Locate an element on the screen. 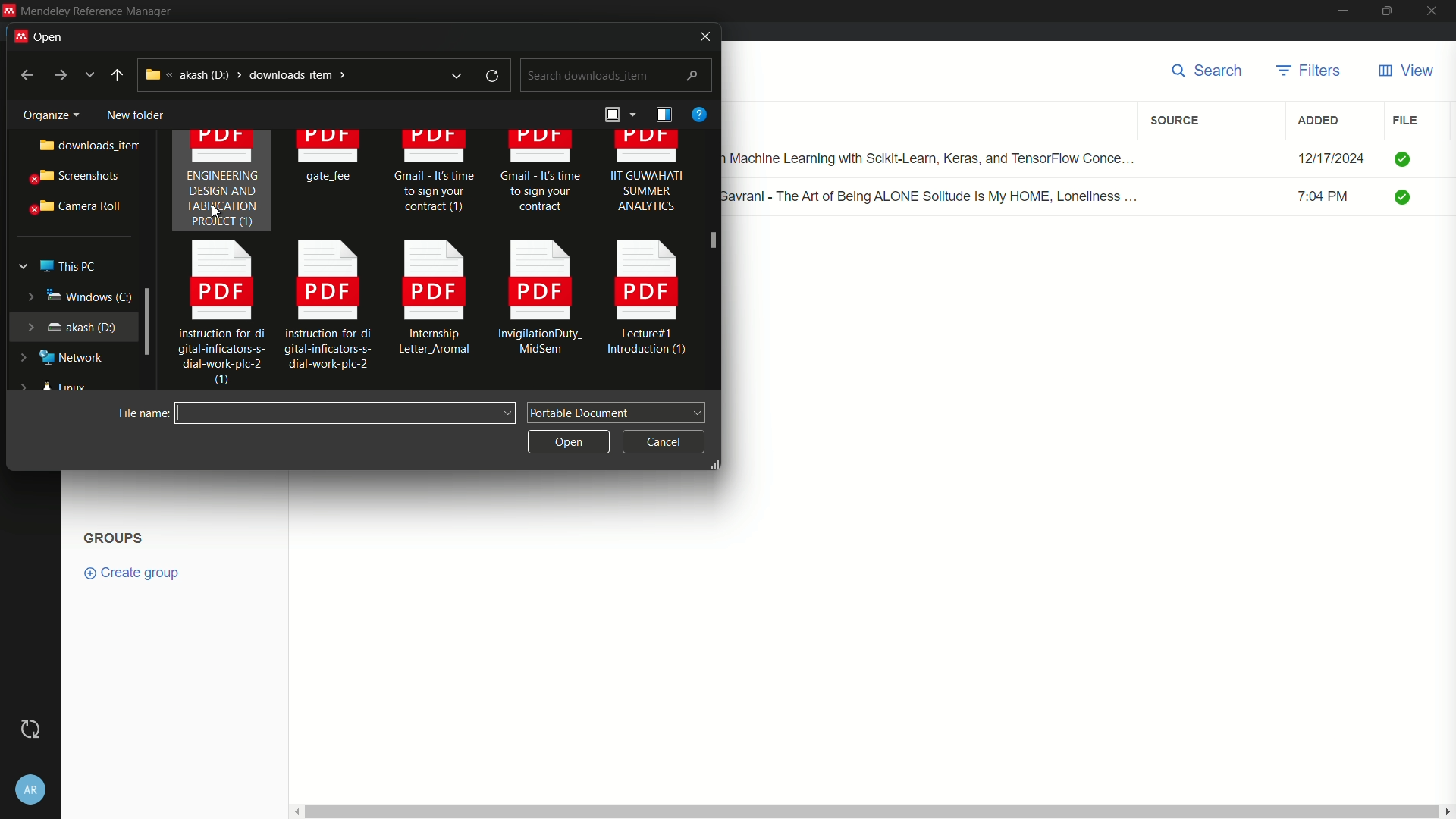 The height and width of the screenshot is (819, 1456). 12/17/2024 is located at coordinates (1331, 158).